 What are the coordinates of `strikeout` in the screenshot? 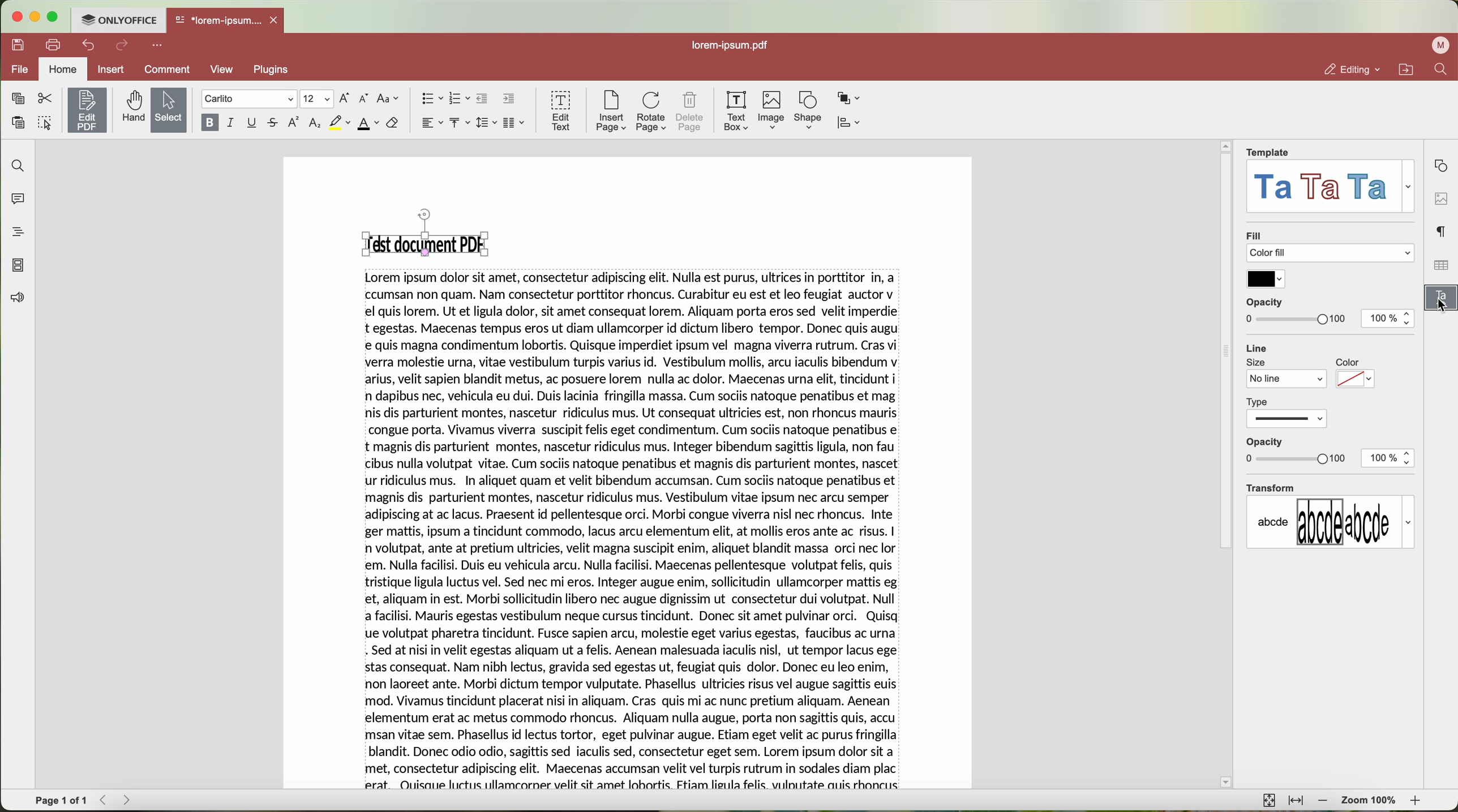 It's located at (275, 123).